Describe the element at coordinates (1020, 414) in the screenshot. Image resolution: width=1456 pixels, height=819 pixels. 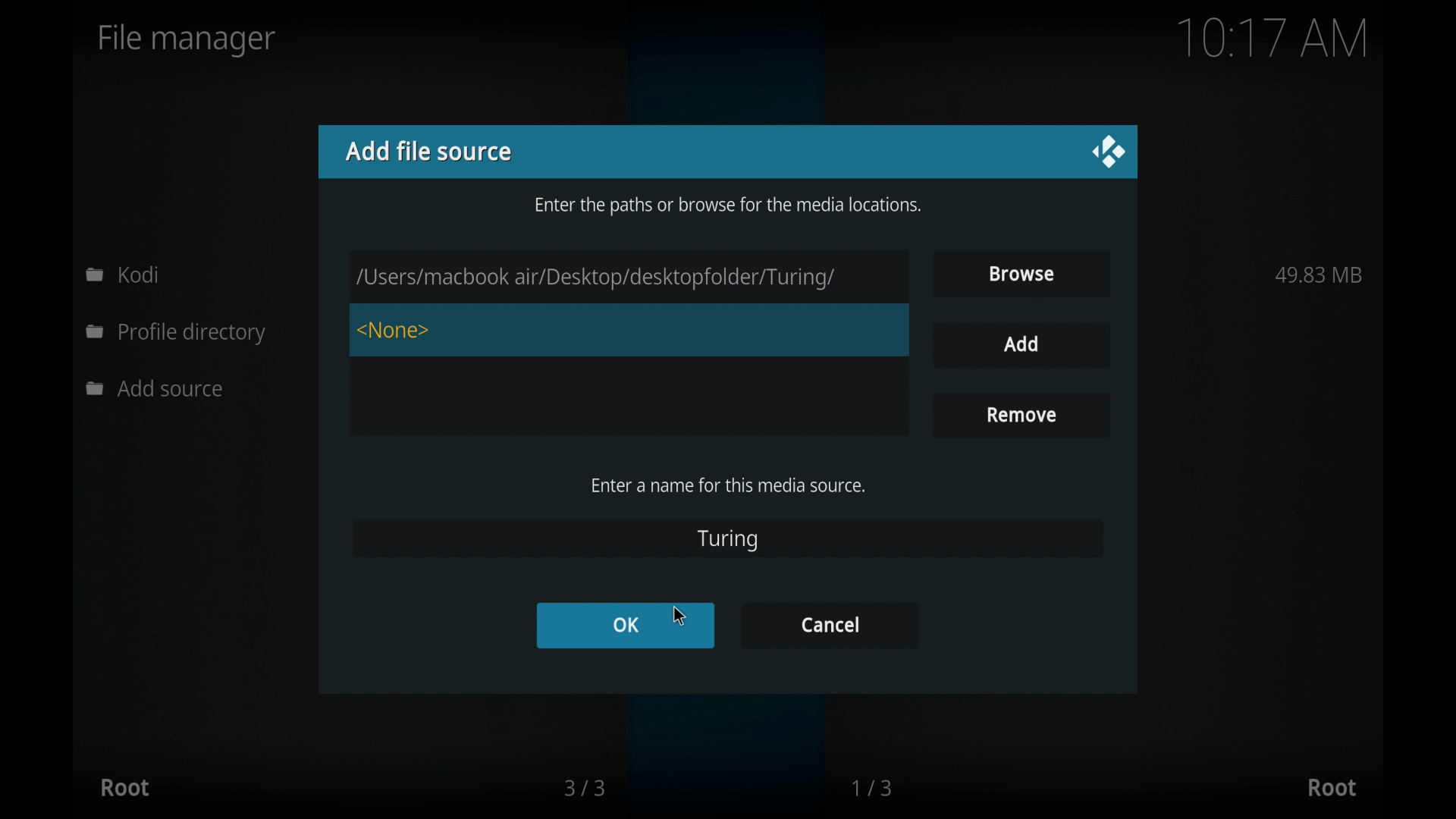
I see `remove` at that location.